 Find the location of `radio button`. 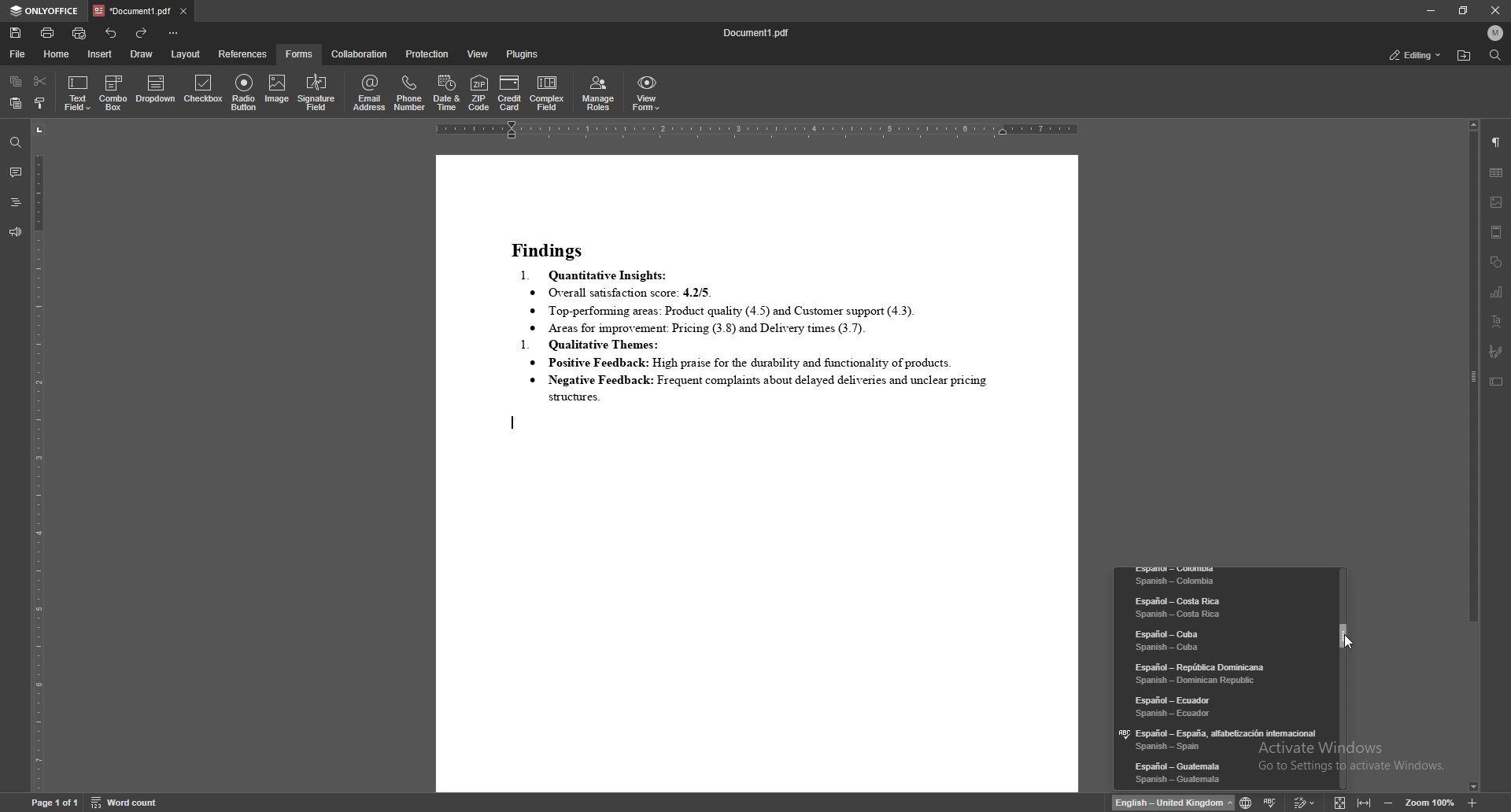

radio button is located at coordinates (245, 93).